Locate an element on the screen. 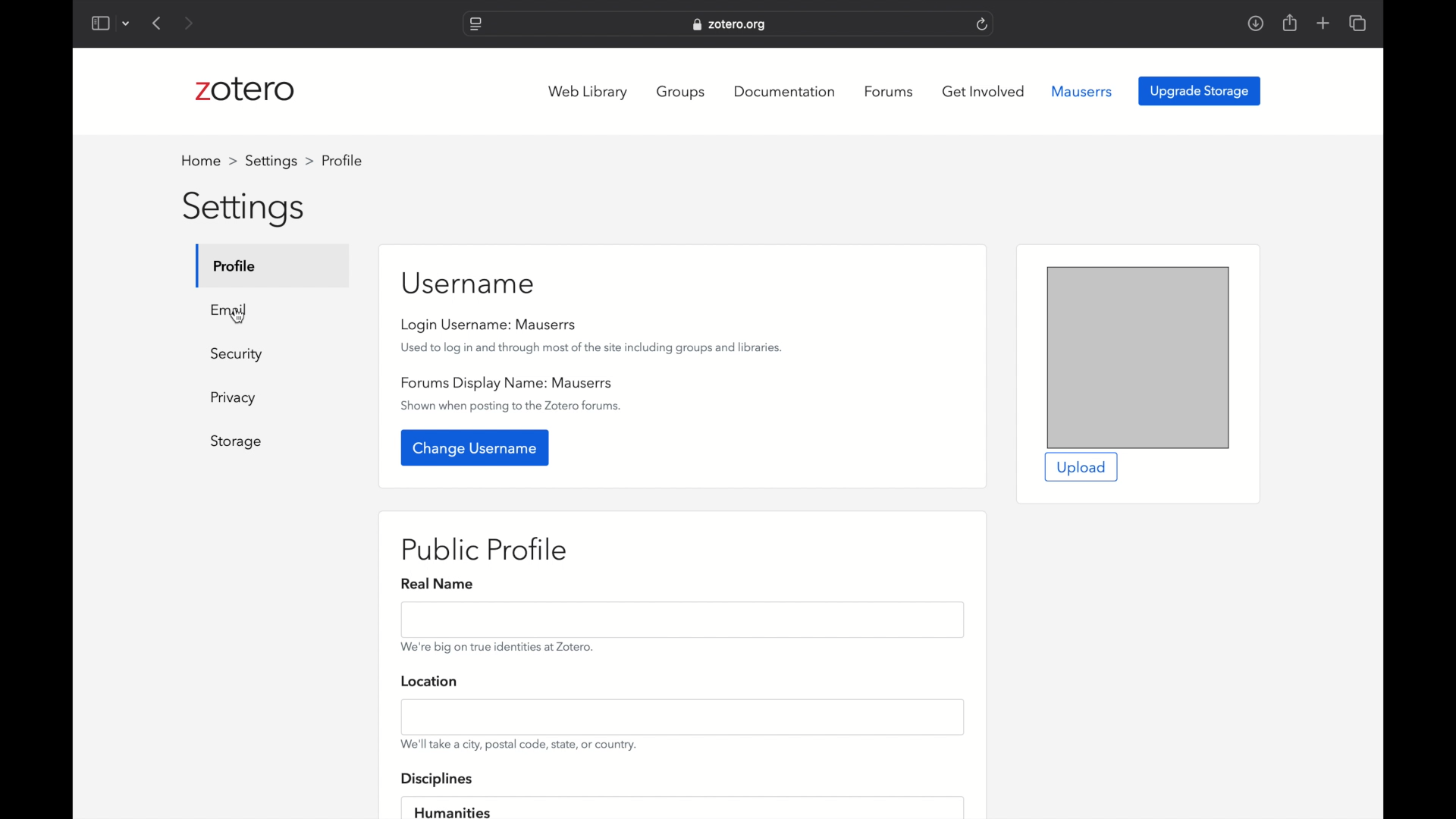 The height and width of the screenshot is (819, 1456). settings is located at coordinates (245, 210).